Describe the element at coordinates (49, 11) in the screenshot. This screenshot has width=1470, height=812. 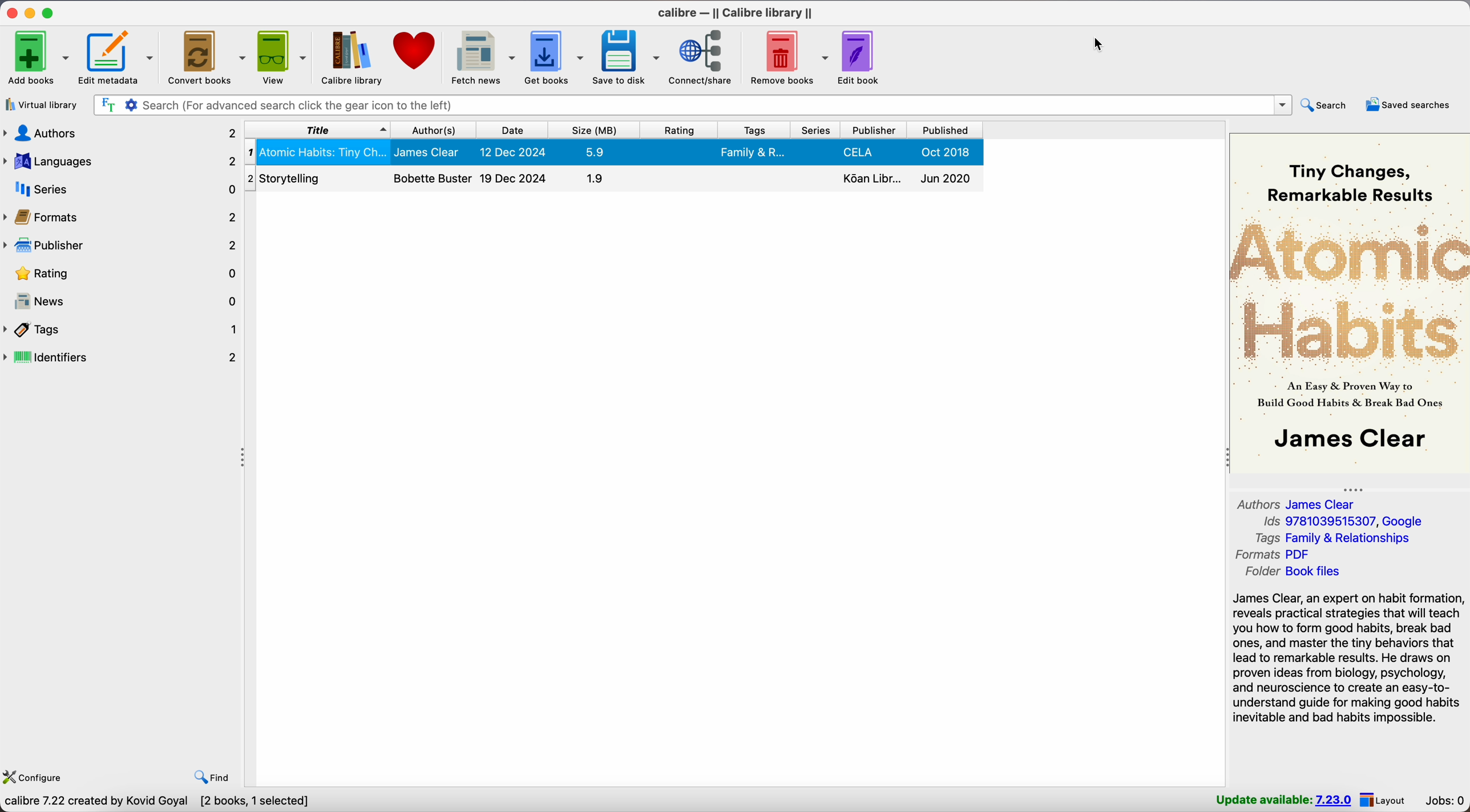
I see `maximize Calibre` at that location.